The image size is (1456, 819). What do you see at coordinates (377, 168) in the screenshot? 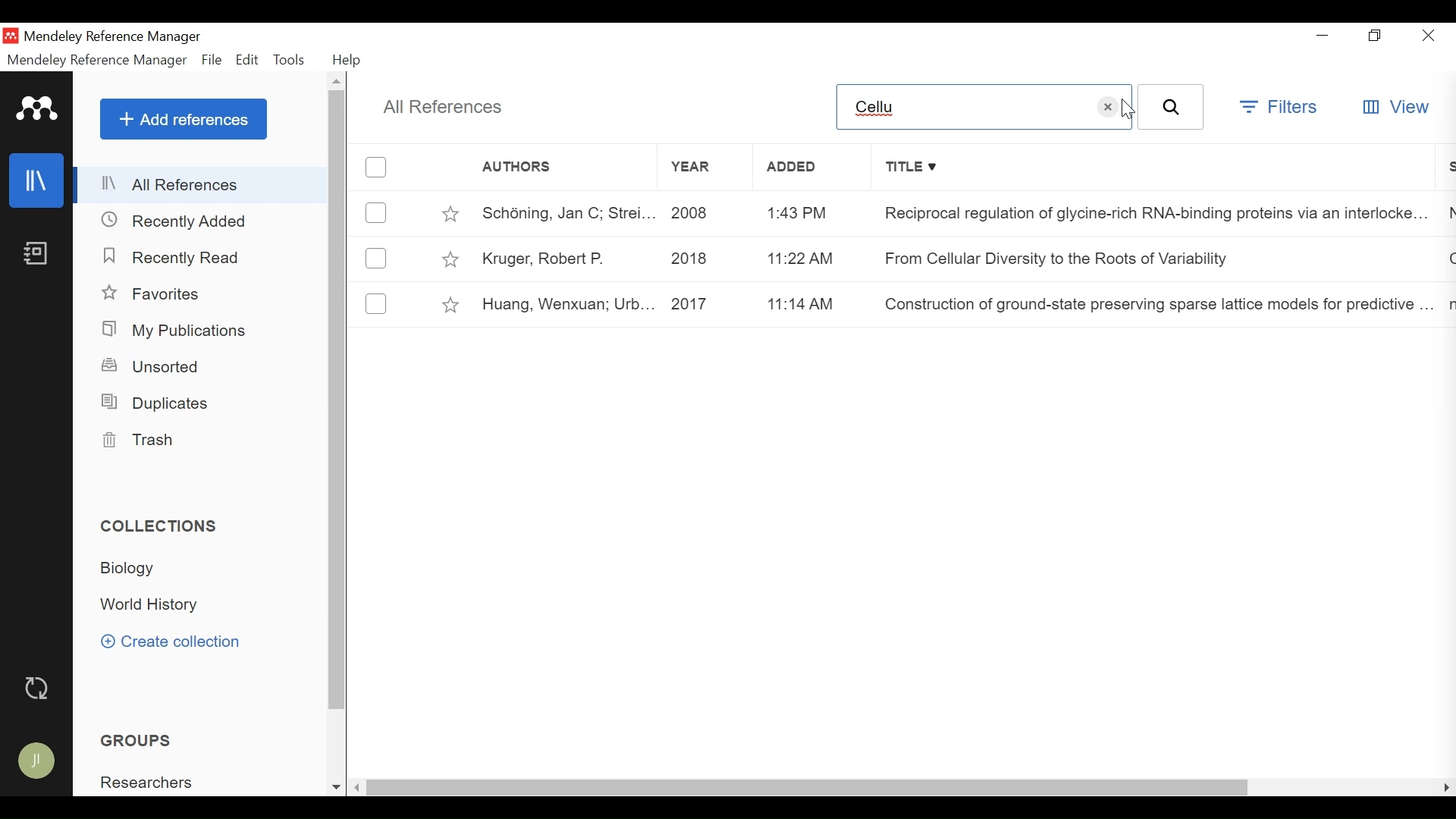
I see `(un)select` at bounding box center [377, 168].